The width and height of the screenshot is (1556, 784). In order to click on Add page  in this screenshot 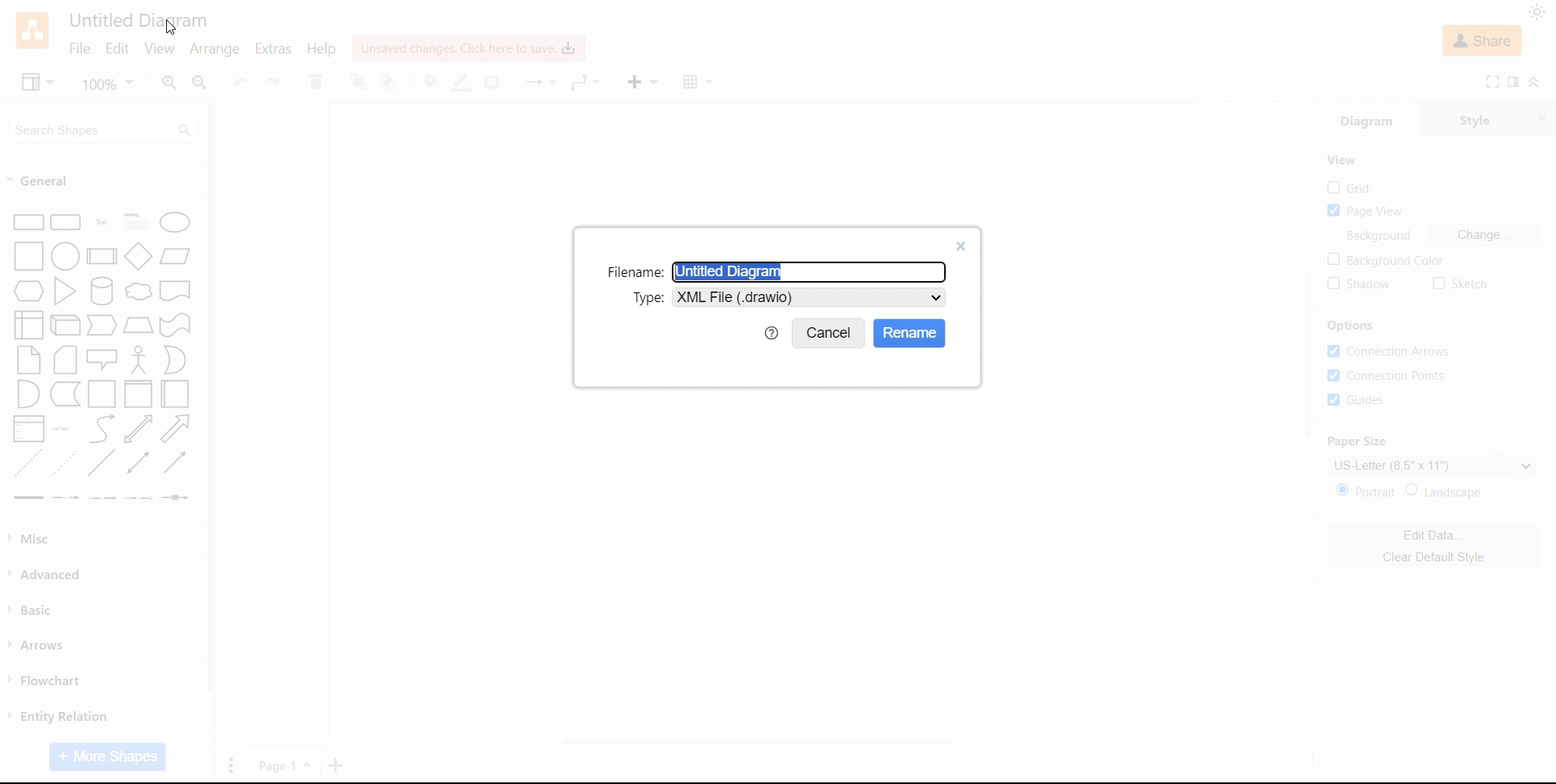, I will do `click(337, 765)`.